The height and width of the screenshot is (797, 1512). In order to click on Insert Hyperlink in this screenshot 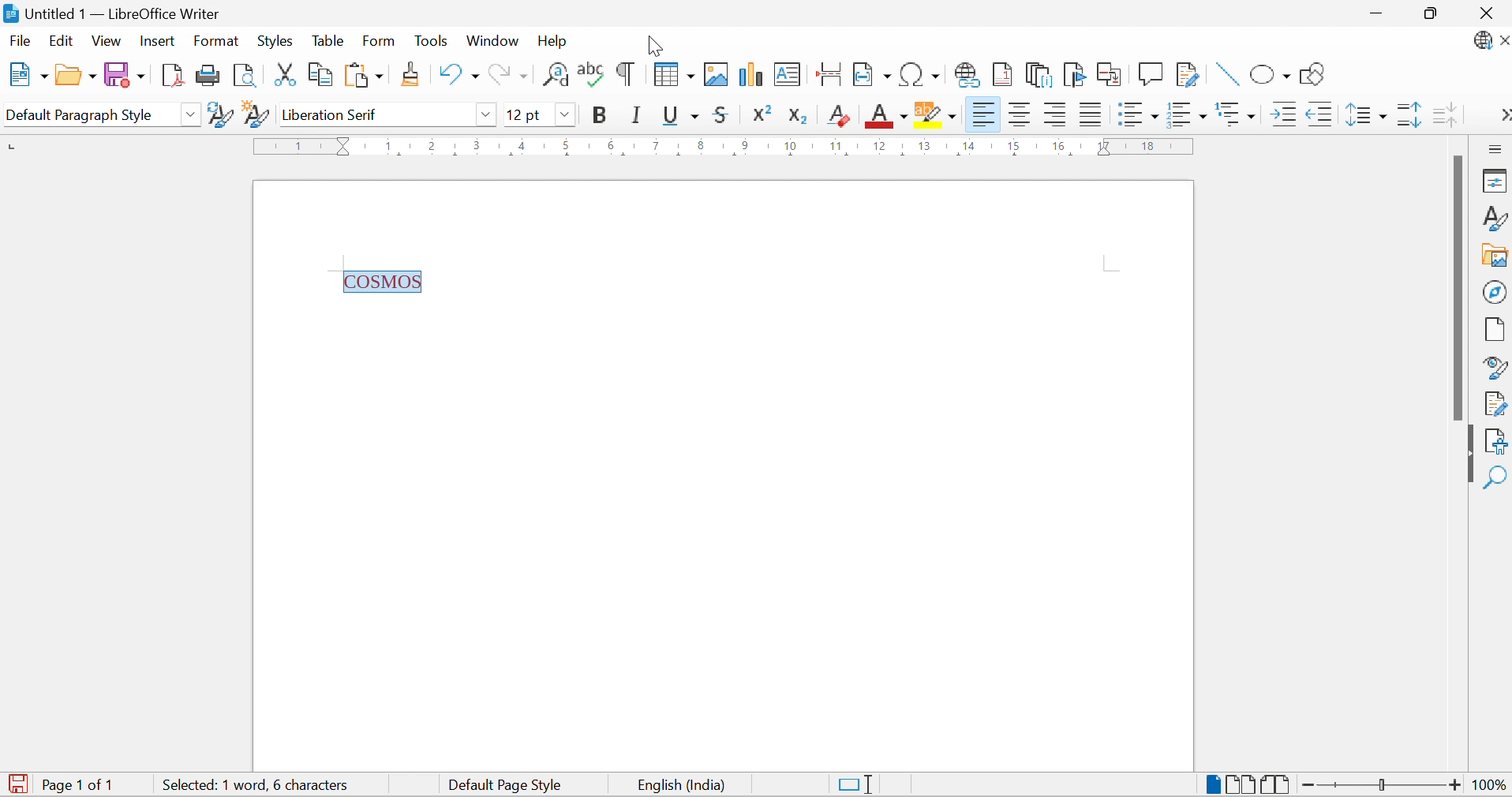, I will do `click(967, 74)`.